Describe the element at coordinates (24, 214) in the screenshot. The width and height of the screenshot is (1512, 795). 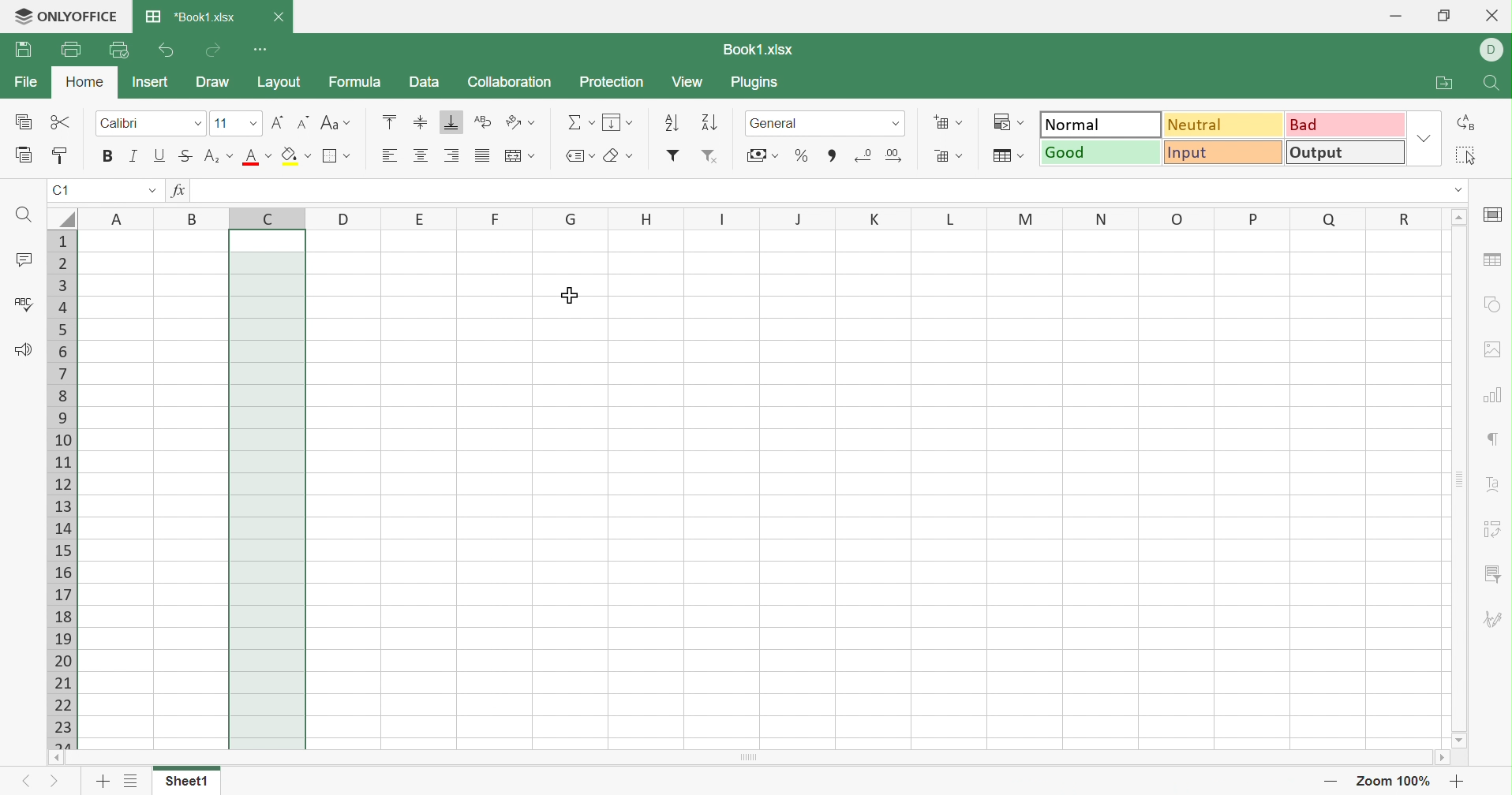
I see `Find` at that location.